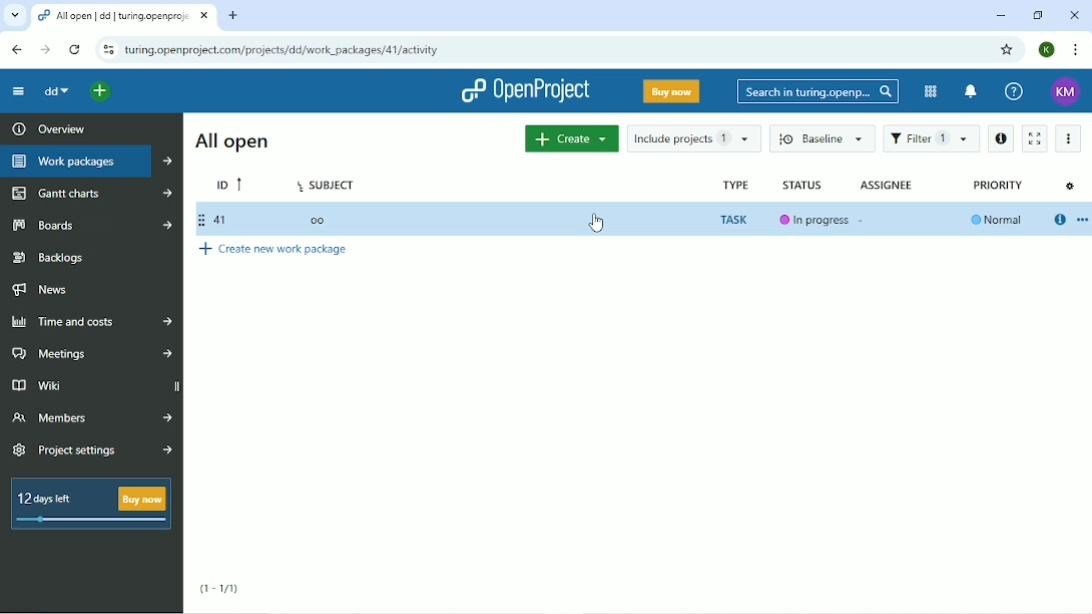 The height and width of the screenshot is (614, 1092). Describe the element at coordinates (526, 91) in the screenshot. I see `OpenProject` at that location.